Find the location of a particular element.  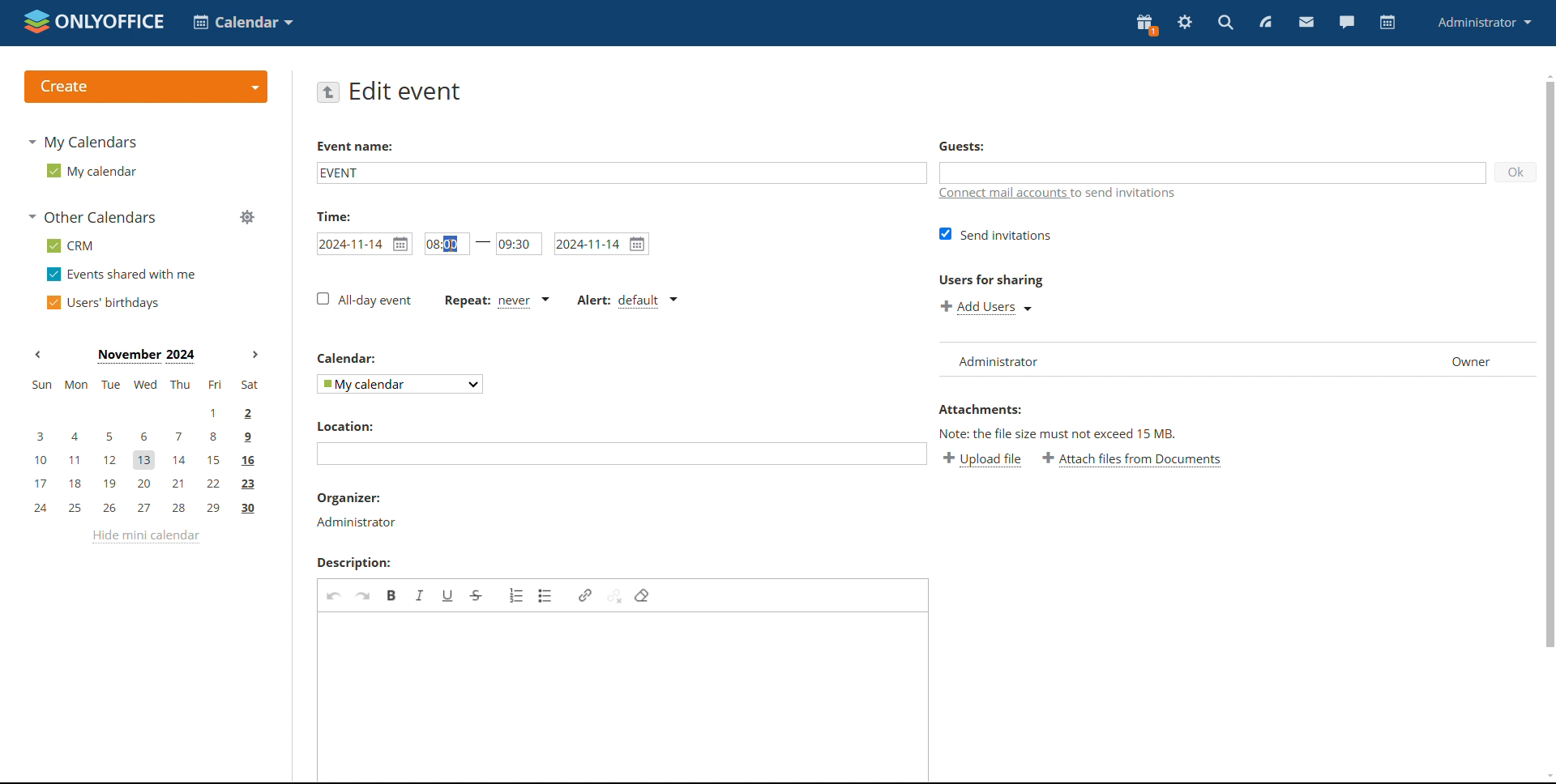

send invitations is located at coordinates (997, 234).